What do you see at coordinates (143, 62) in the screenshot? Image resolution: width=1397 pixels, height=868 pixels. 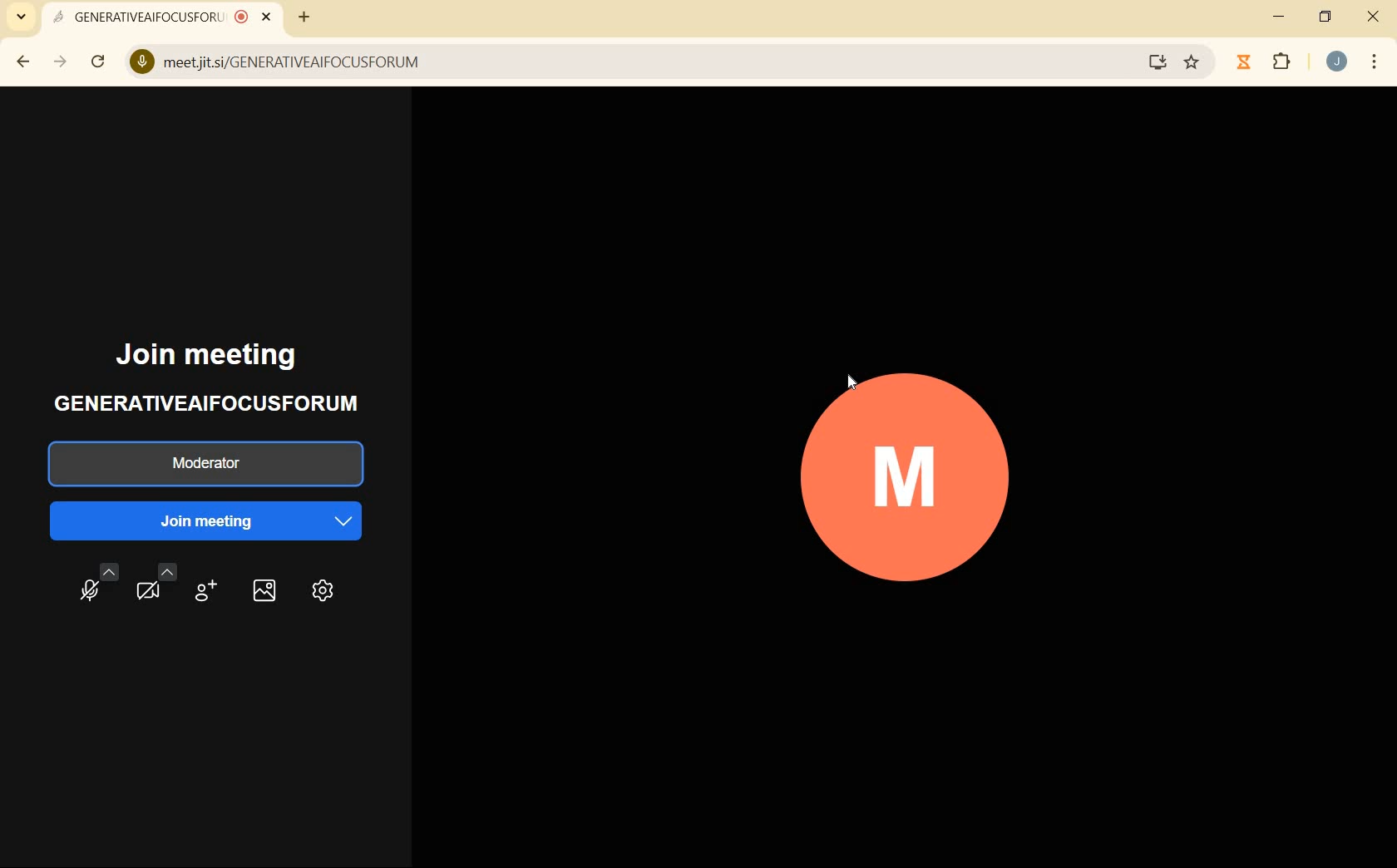 I see `View Site Information` at bounding box center [143, 62].